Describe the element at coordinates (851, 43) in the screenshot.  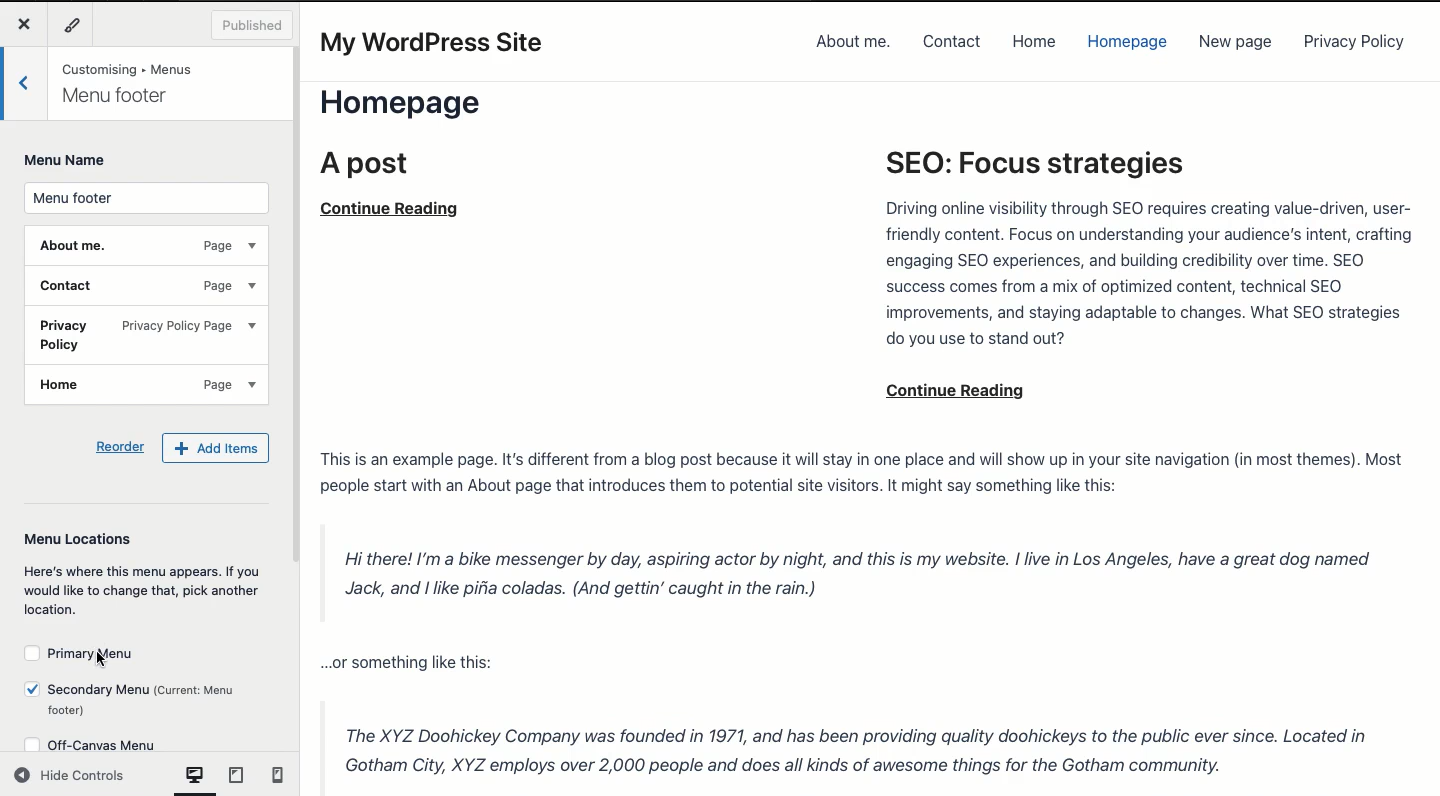
I see `About me` at that location.